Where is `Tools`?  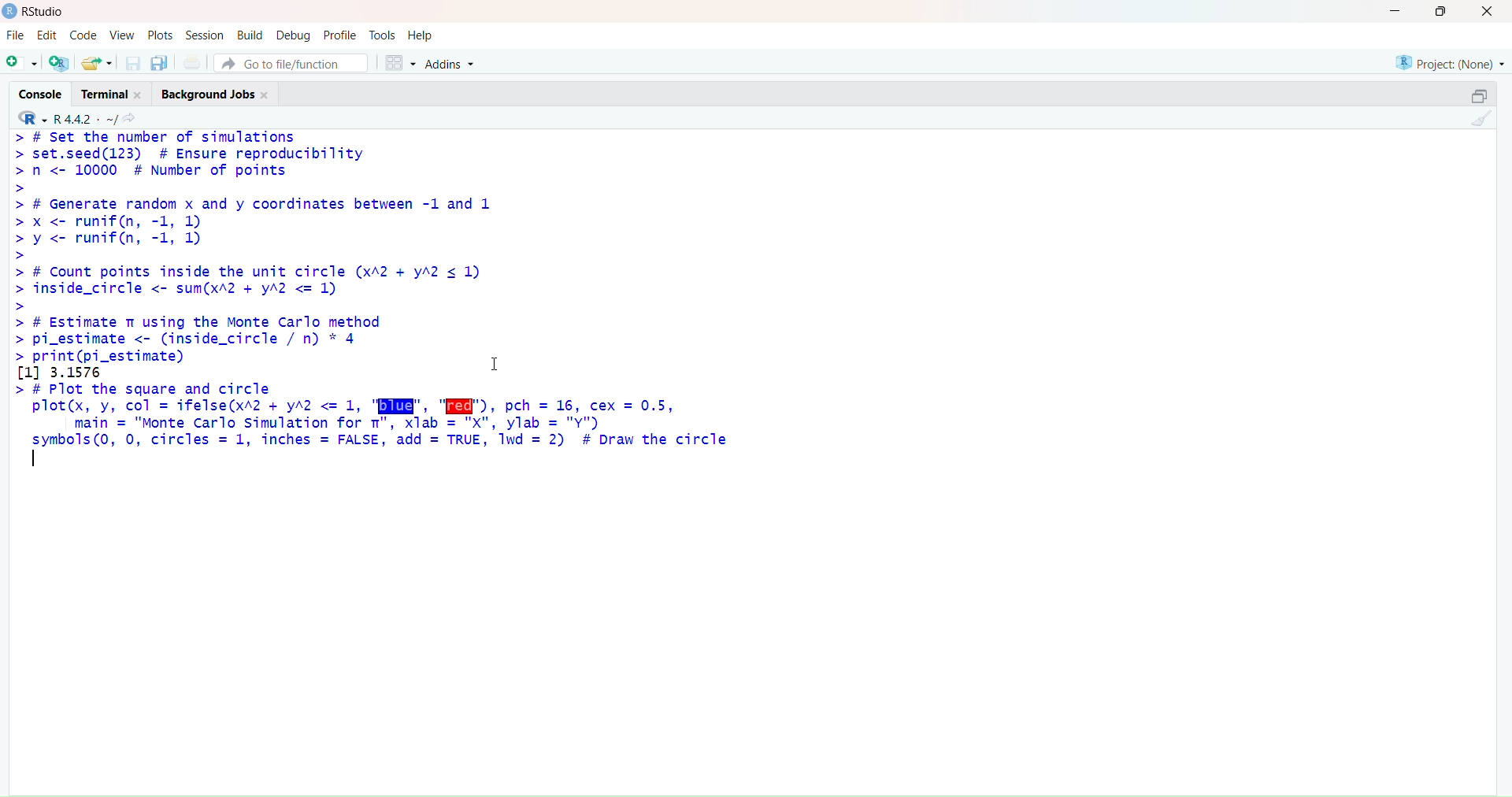 Tools is located at coordinates (383, 34).